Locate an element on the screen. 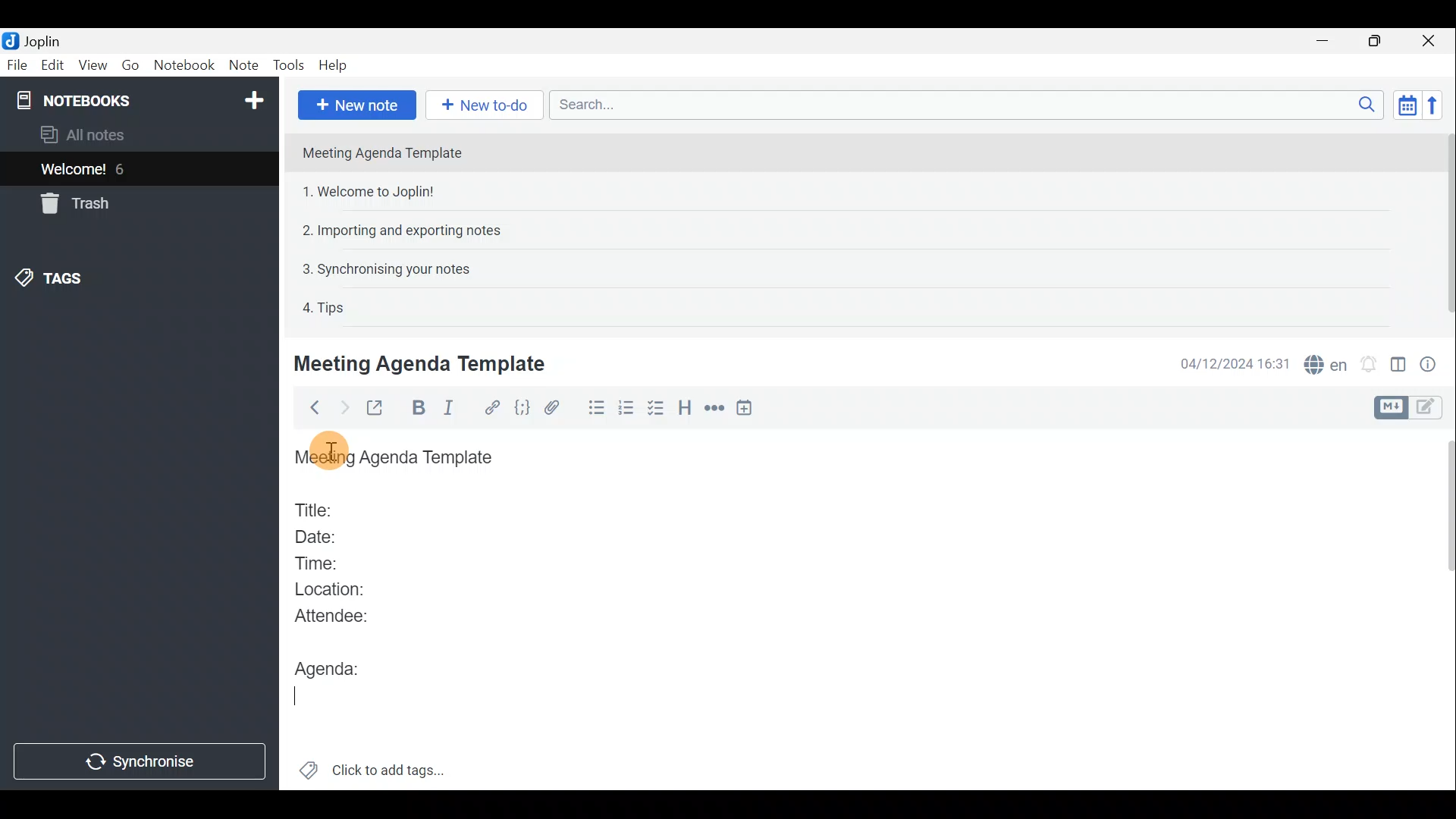 This screenshot has height=819, width=1456. Notebooks is located at coordinates (142, 99).